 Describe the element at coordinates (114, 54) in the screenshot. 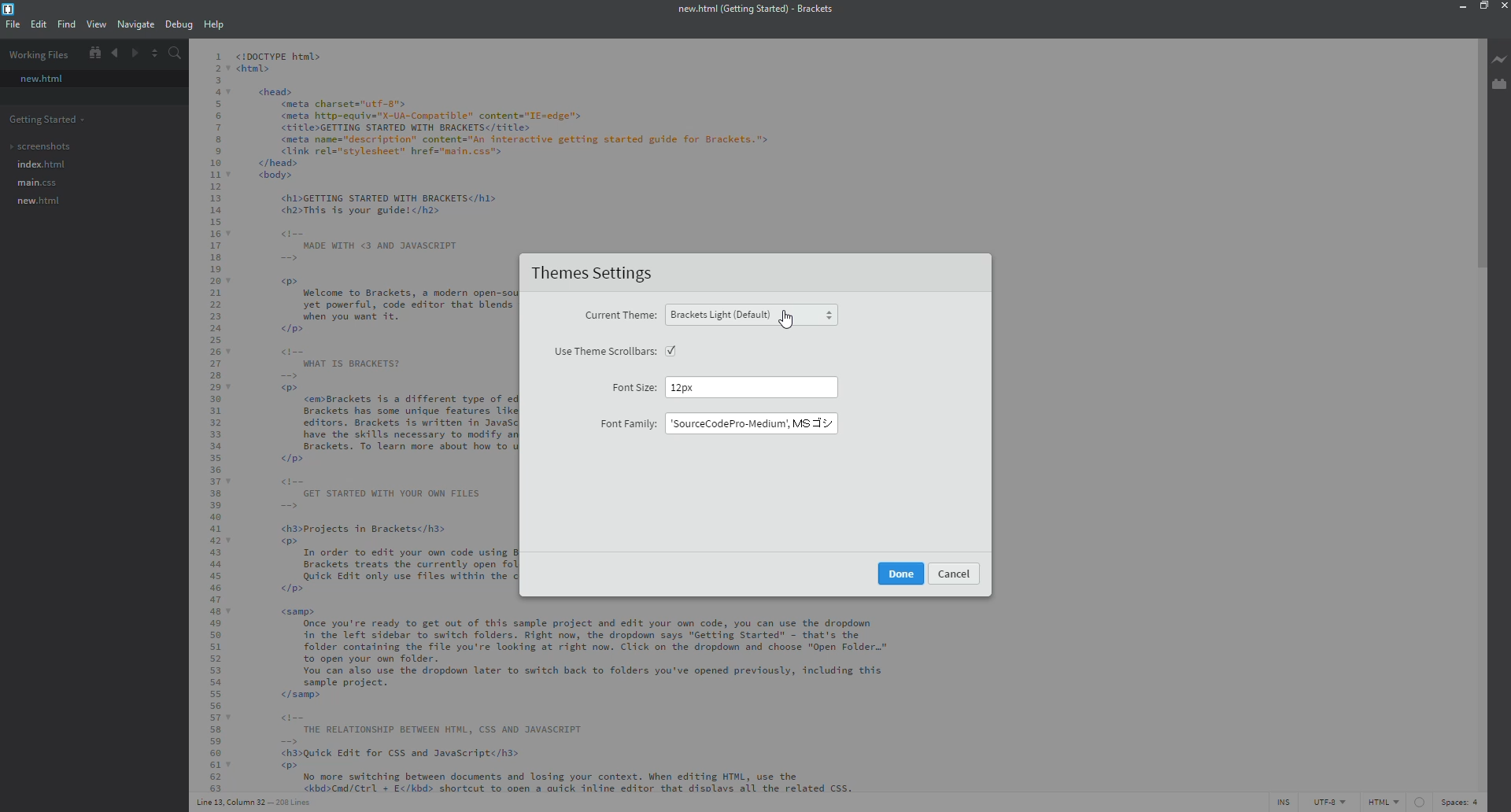

I see `back` at that location.